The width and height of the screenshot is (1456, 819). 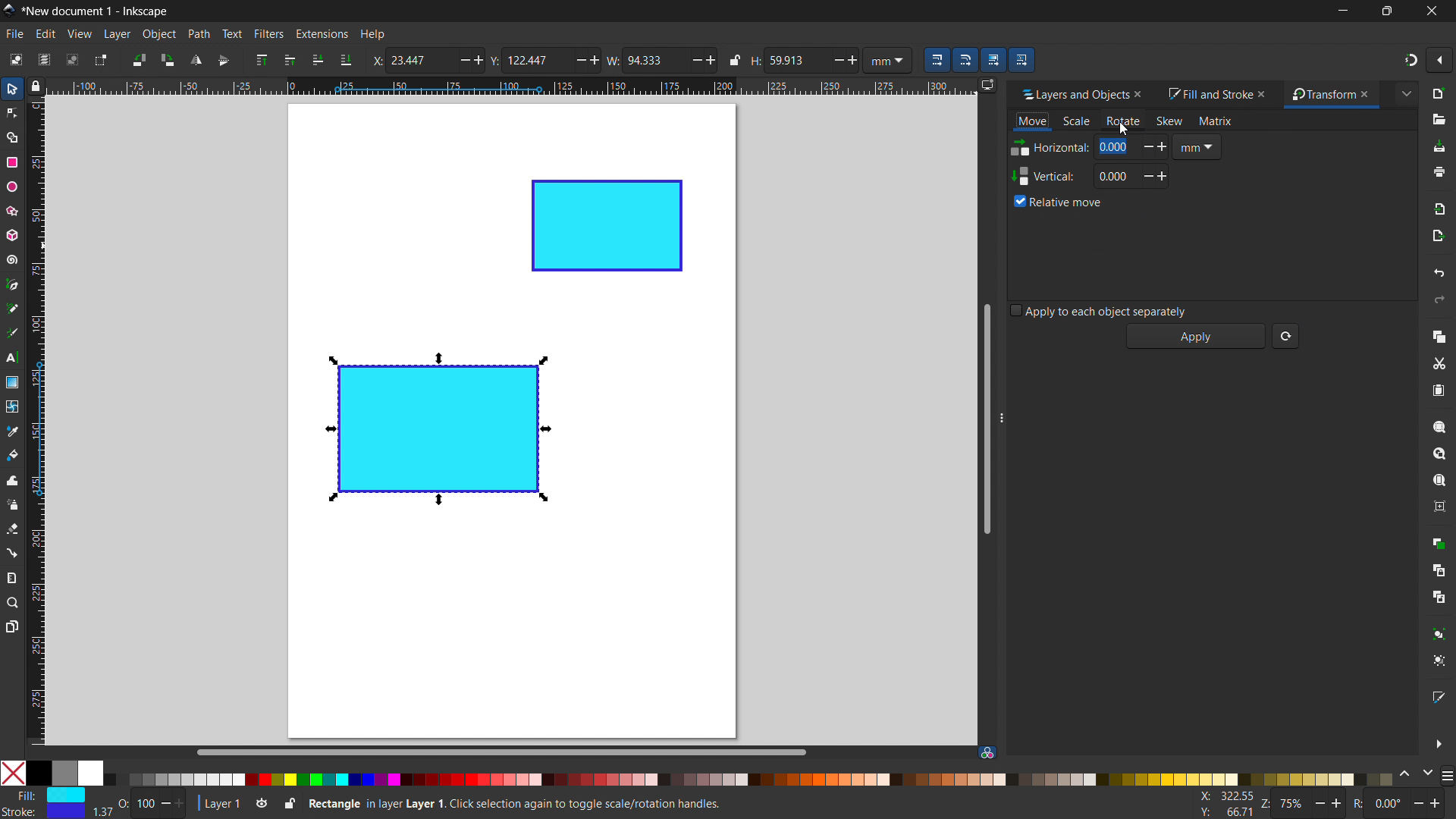 I want to click on paint bucket tool, so click(x=14, y=454).